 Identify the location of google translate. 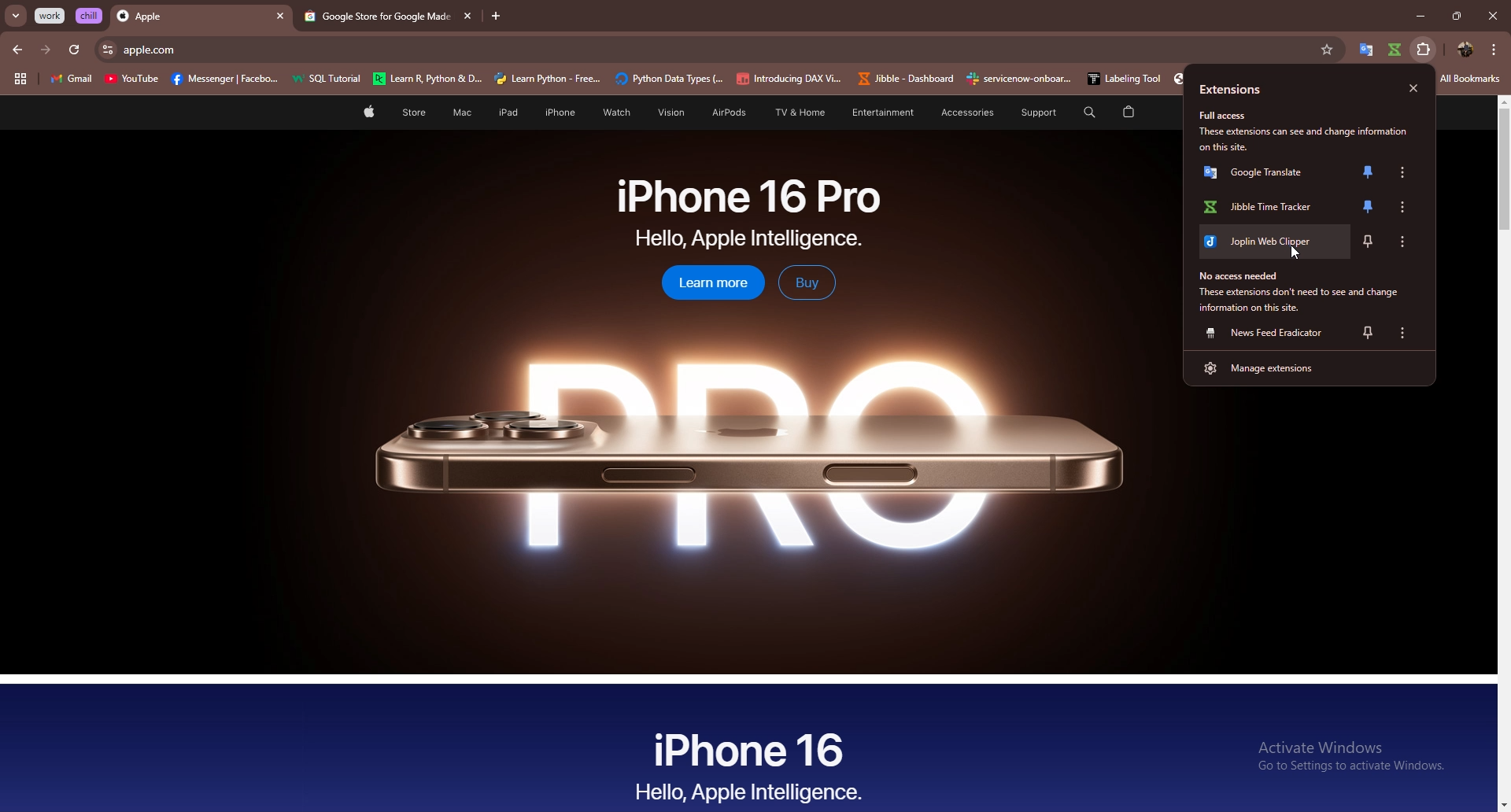
(1365, 50).